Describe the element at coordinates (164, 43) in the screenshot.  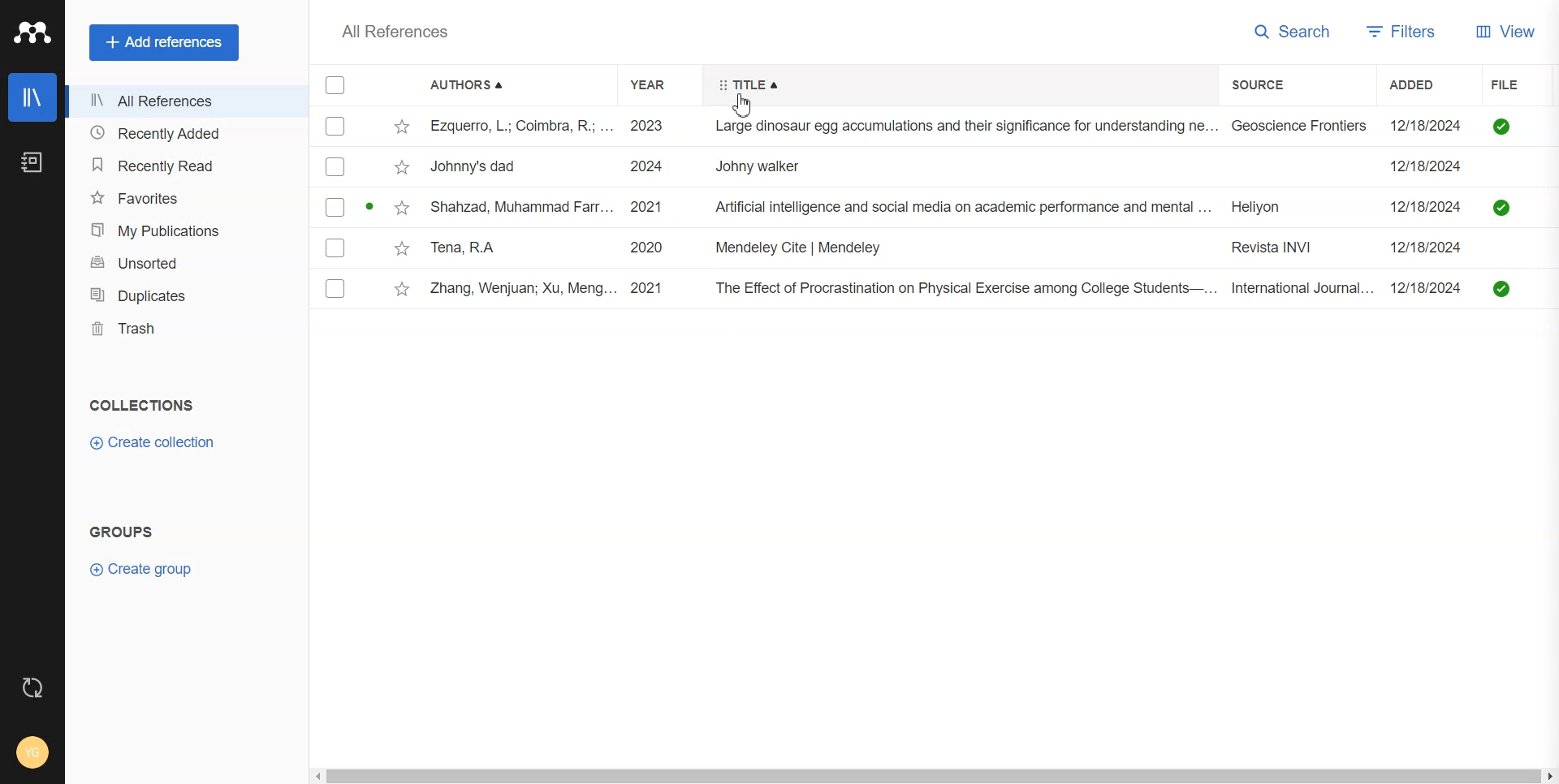
I see `Add refernces` at that location.